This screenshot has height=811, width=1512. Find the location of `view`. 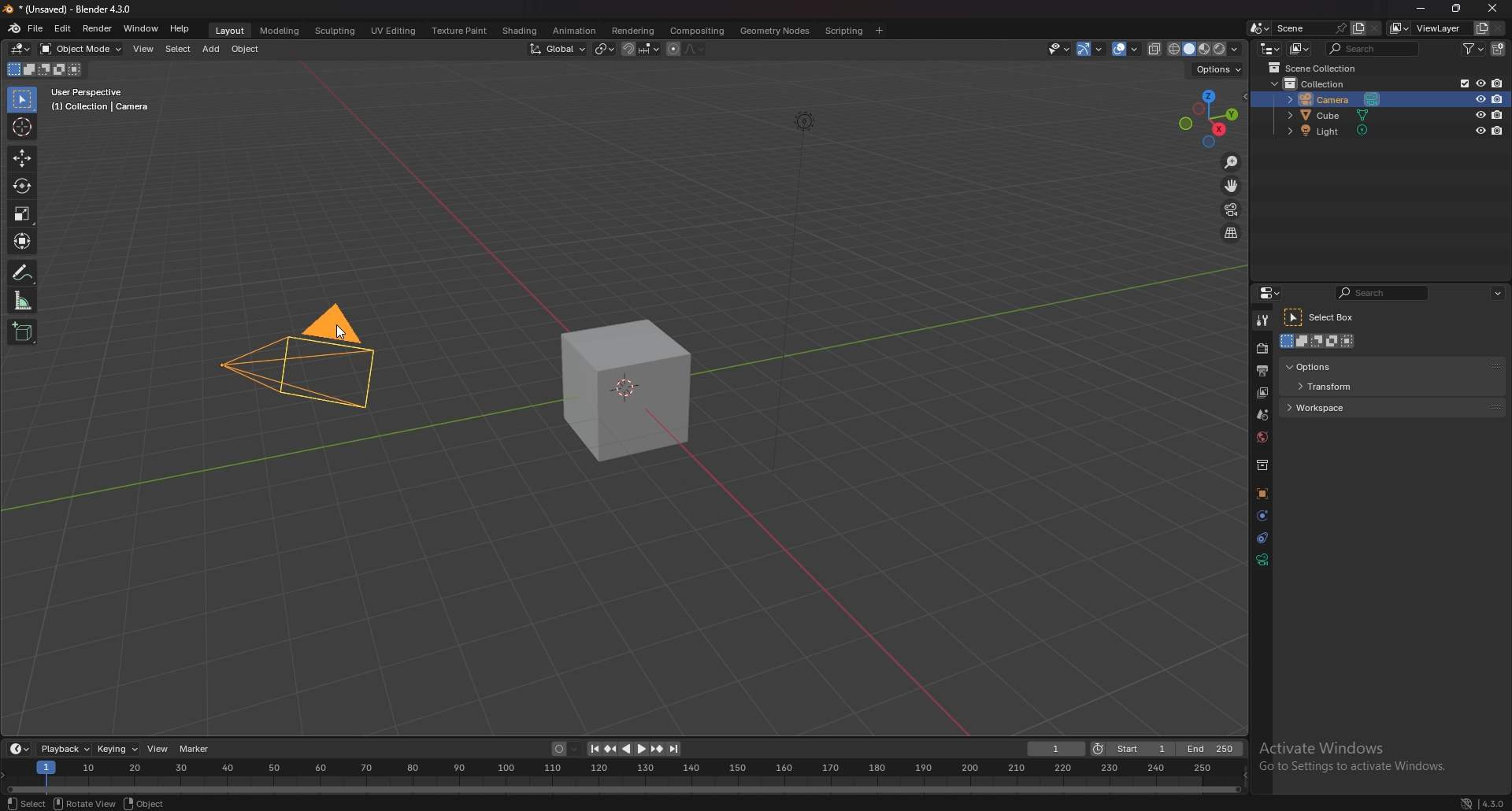

view is located at coordinates (143, 48).